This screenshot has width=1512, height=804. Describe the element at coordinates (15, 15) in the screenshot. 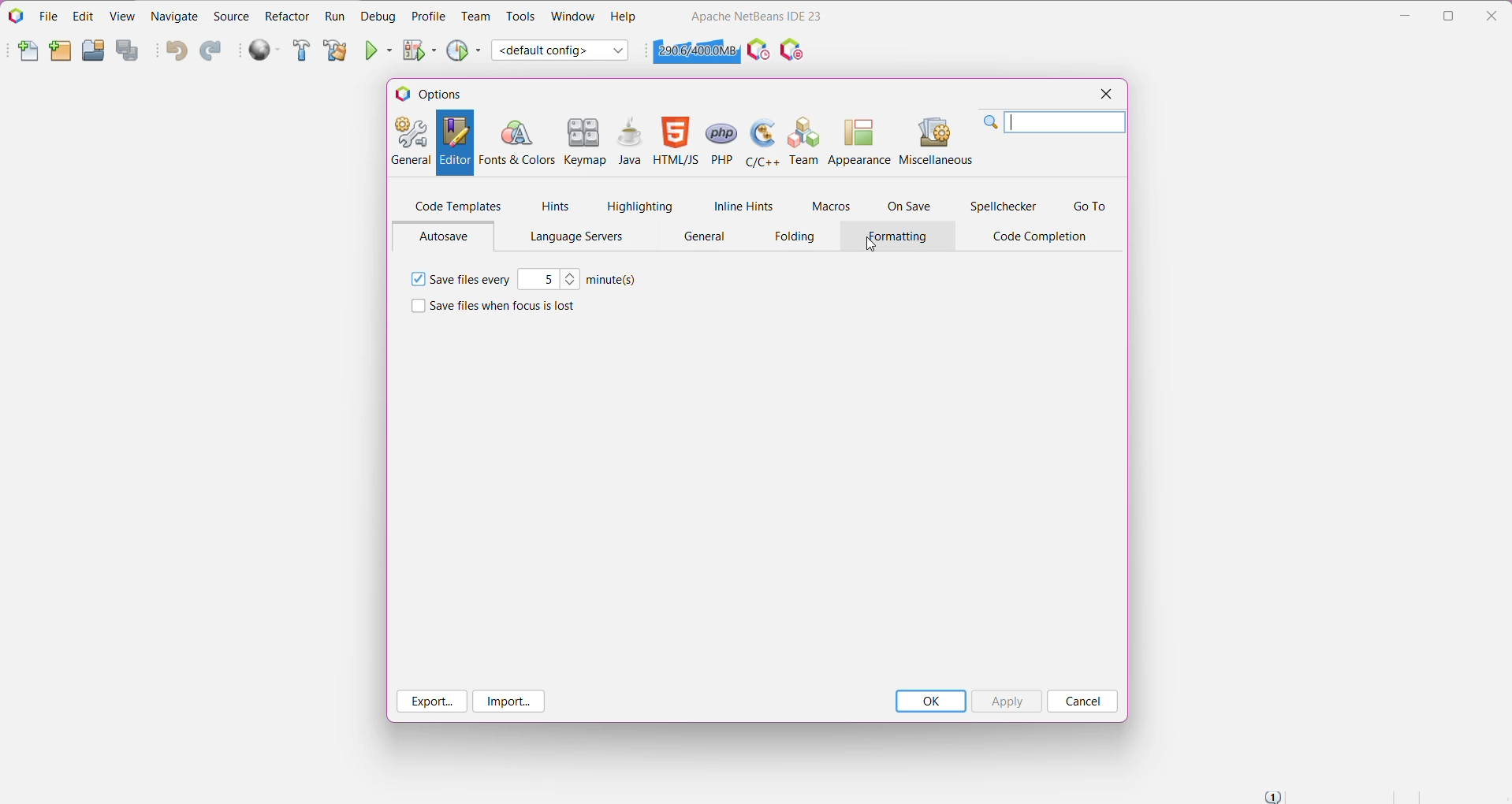

I see `Application Logo` at that location.